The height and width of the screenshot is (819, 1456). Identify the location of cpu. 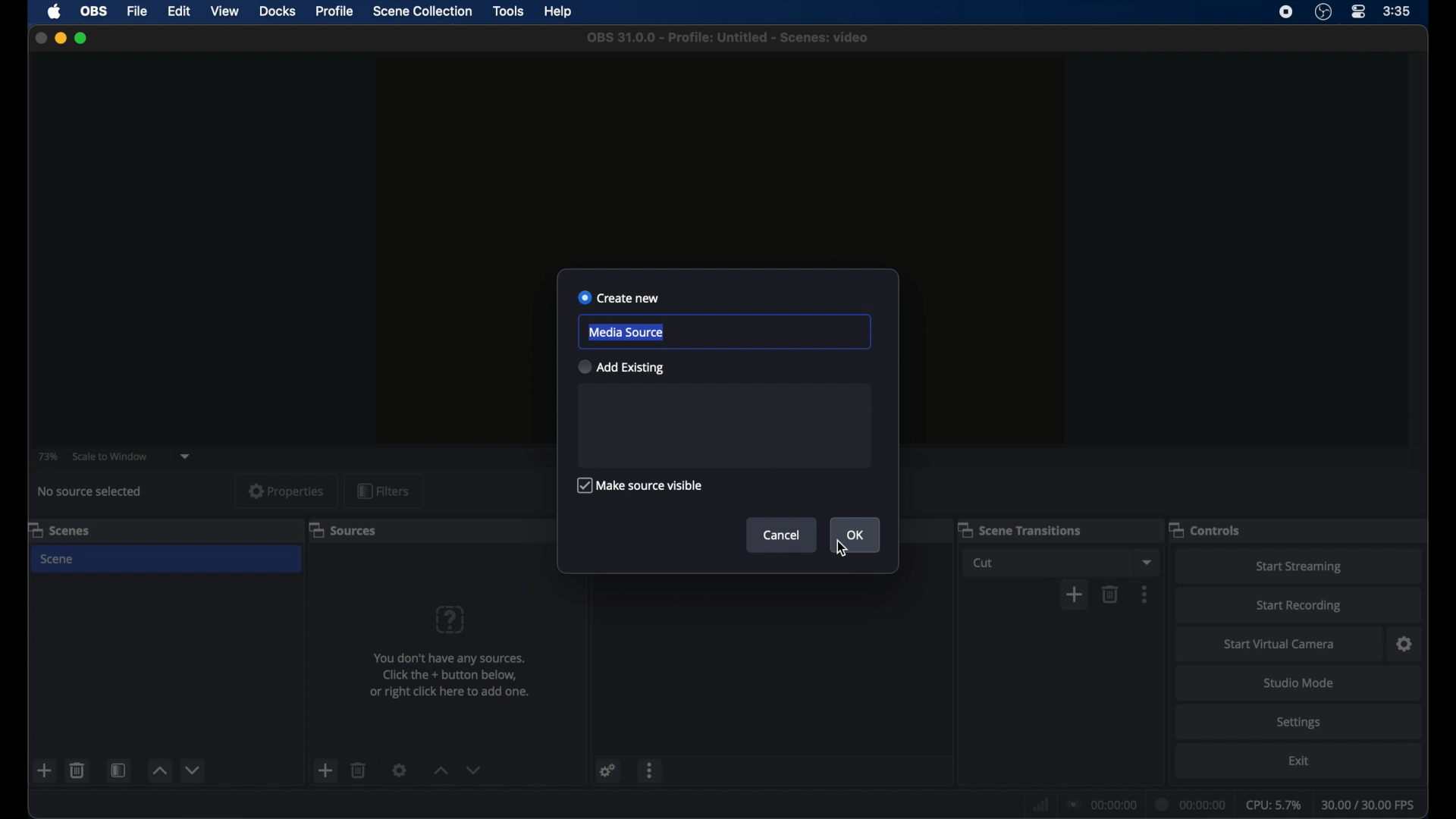
(1273, 803).